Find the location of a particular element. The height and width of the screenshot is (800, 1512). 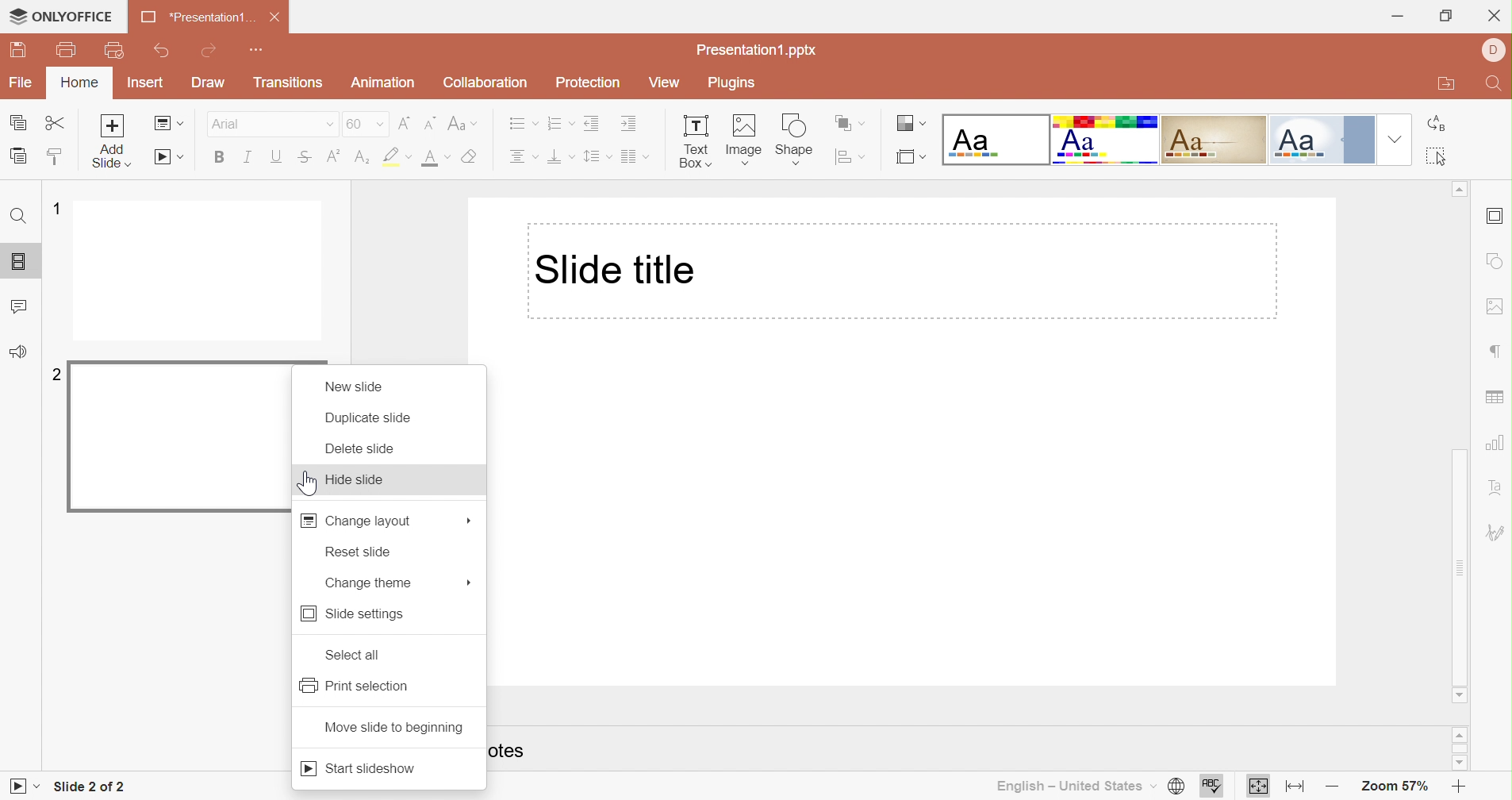

Line spacing is located at coordinates (598, 156).